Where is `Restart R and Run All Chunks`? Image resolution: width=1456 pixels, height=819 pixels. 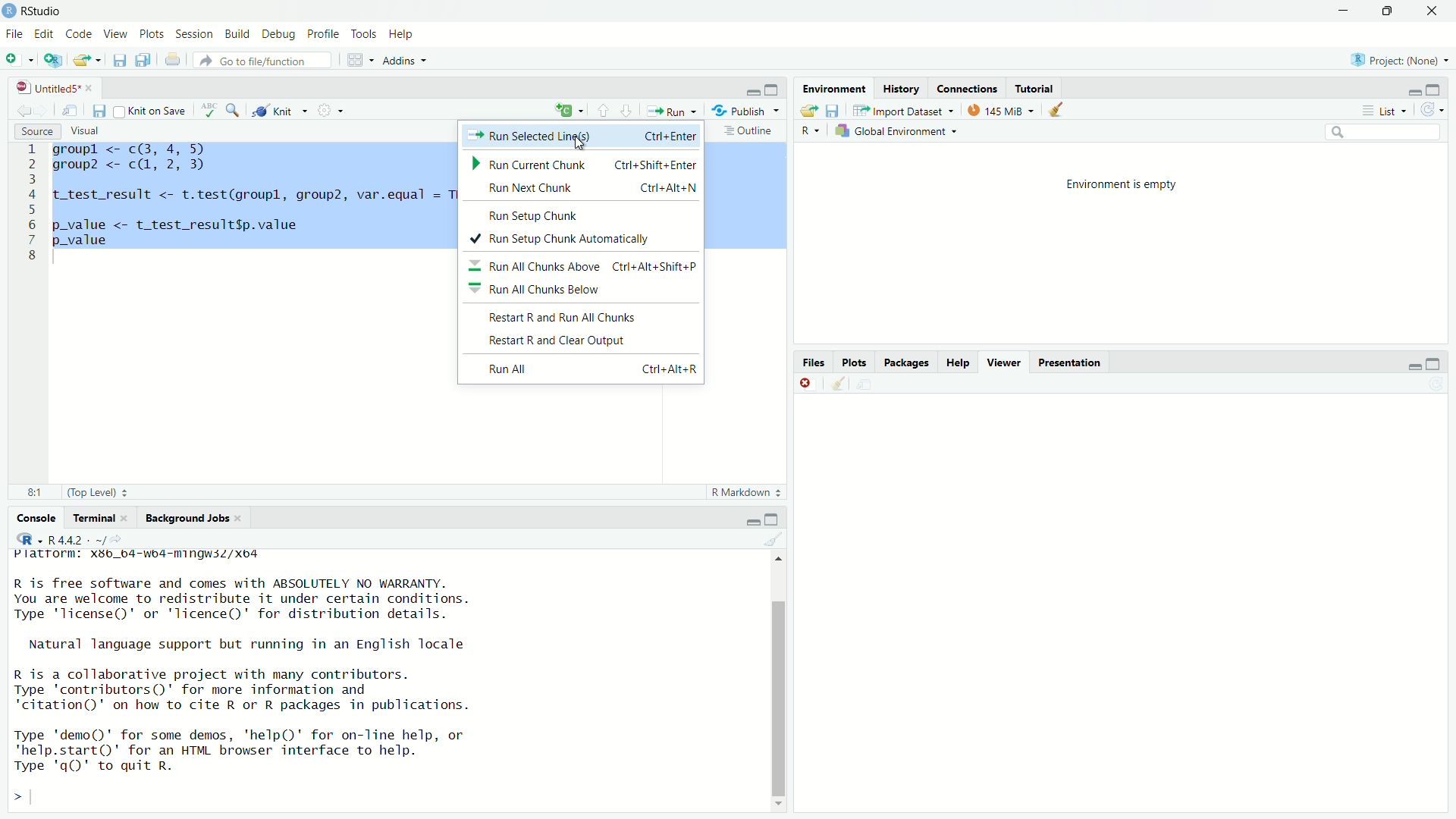 Restart R and Run All Chunks is located at coordinates (560, 316).